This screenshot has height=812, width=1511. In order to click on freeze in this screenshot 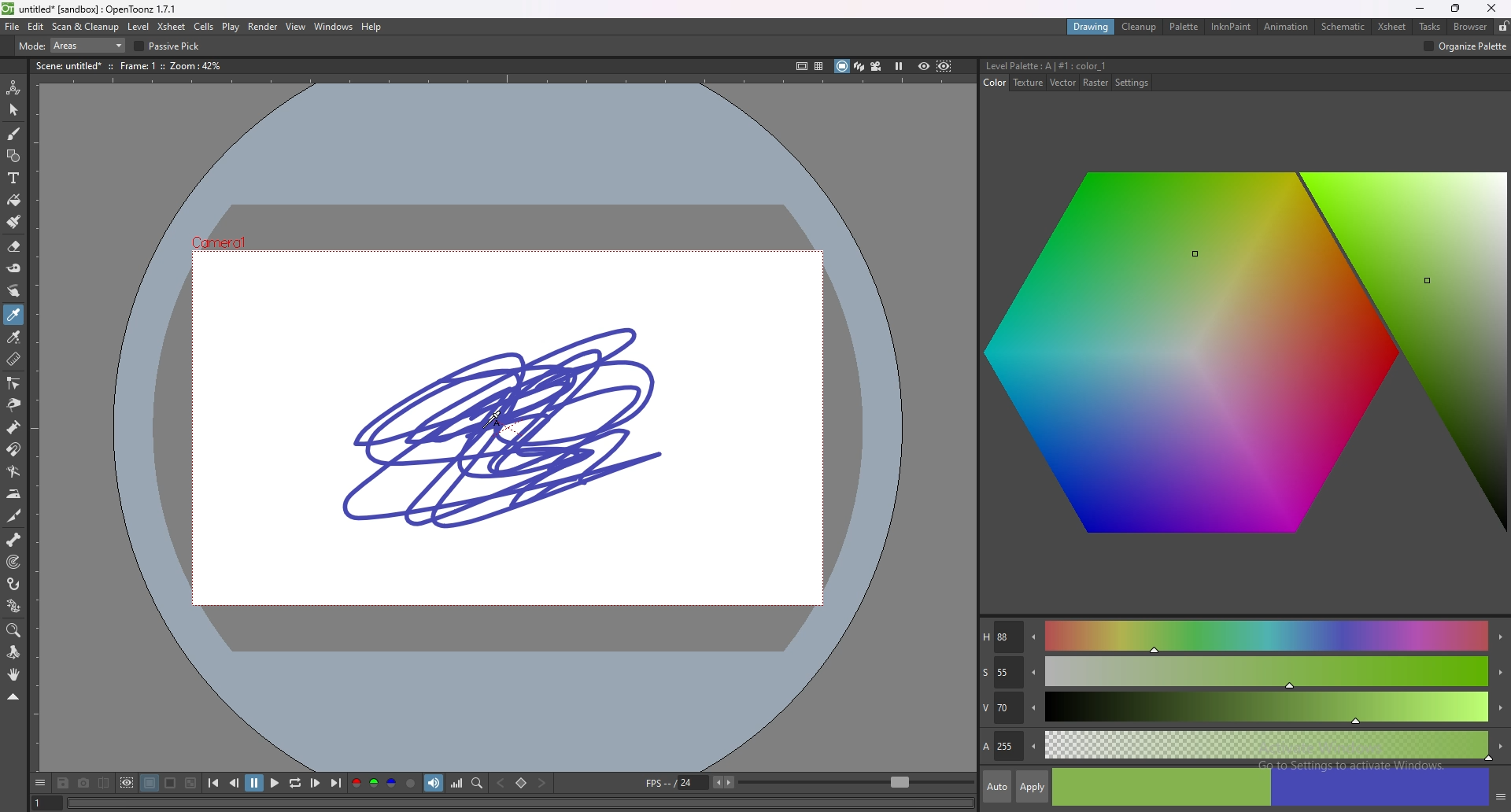, I will do `click(899, 65)`.